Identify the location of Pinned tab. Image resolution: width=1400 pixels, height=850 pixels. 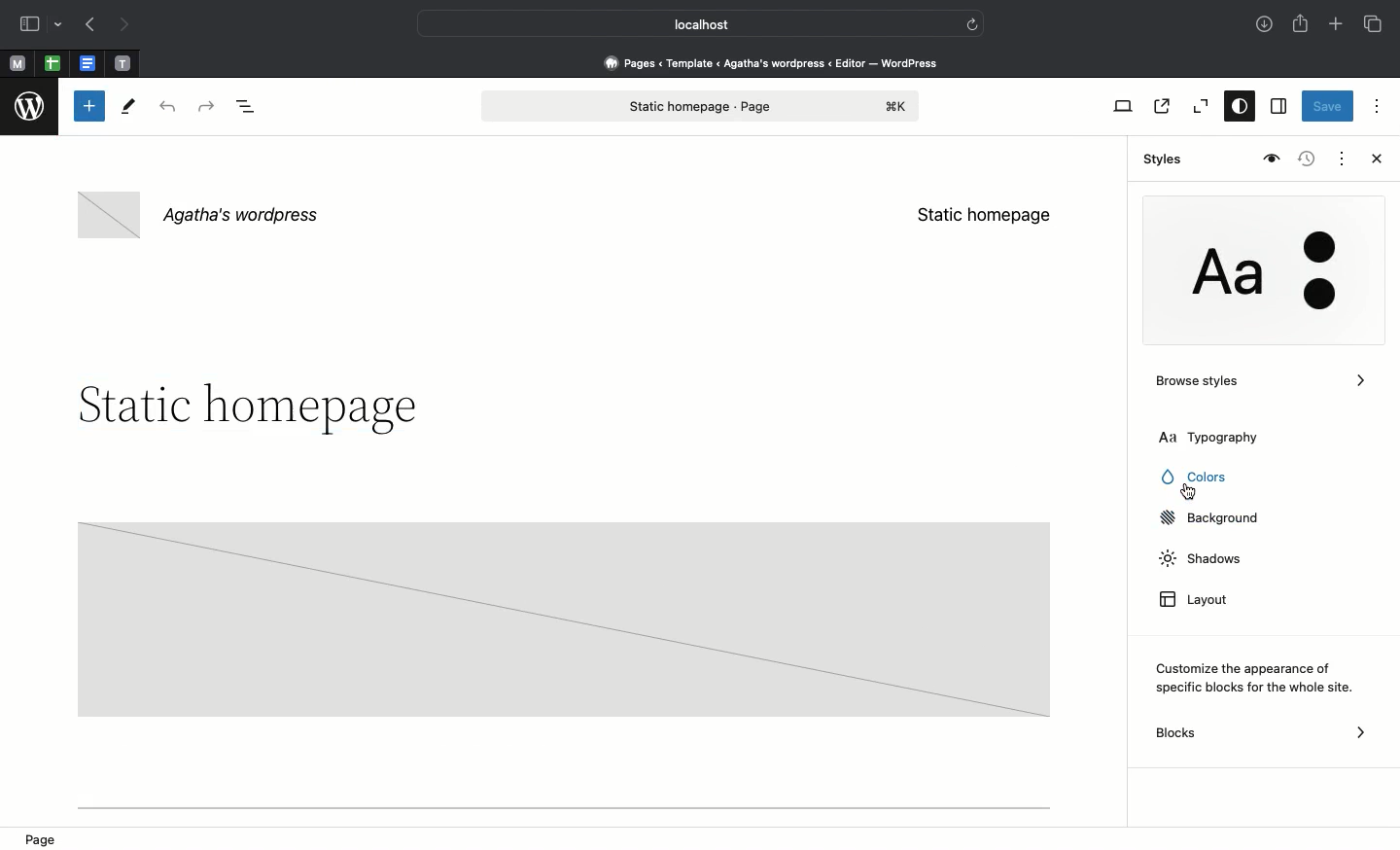
(89, 64).